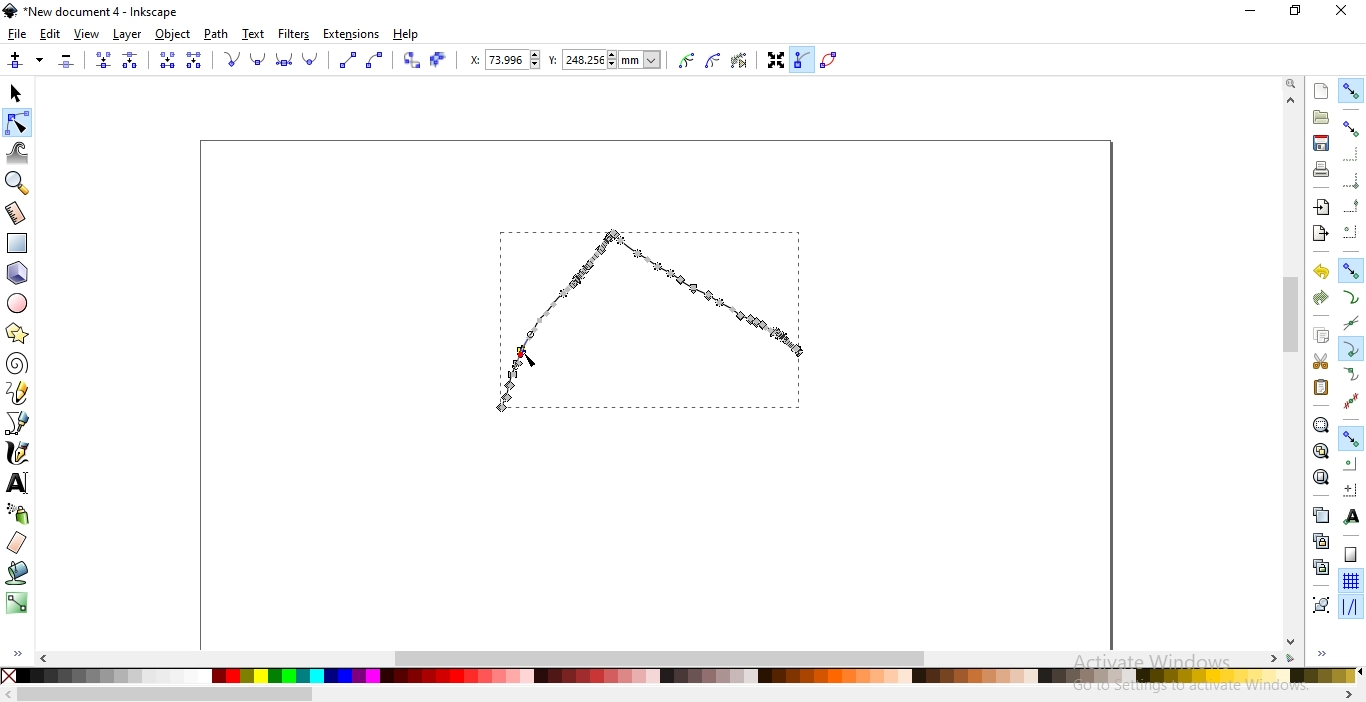 The height and width of the screenshot is (702, 1366). Describe the element at coordinates (743, 62) in the screenshot. I see `show next editable path effect parameter` at that location.